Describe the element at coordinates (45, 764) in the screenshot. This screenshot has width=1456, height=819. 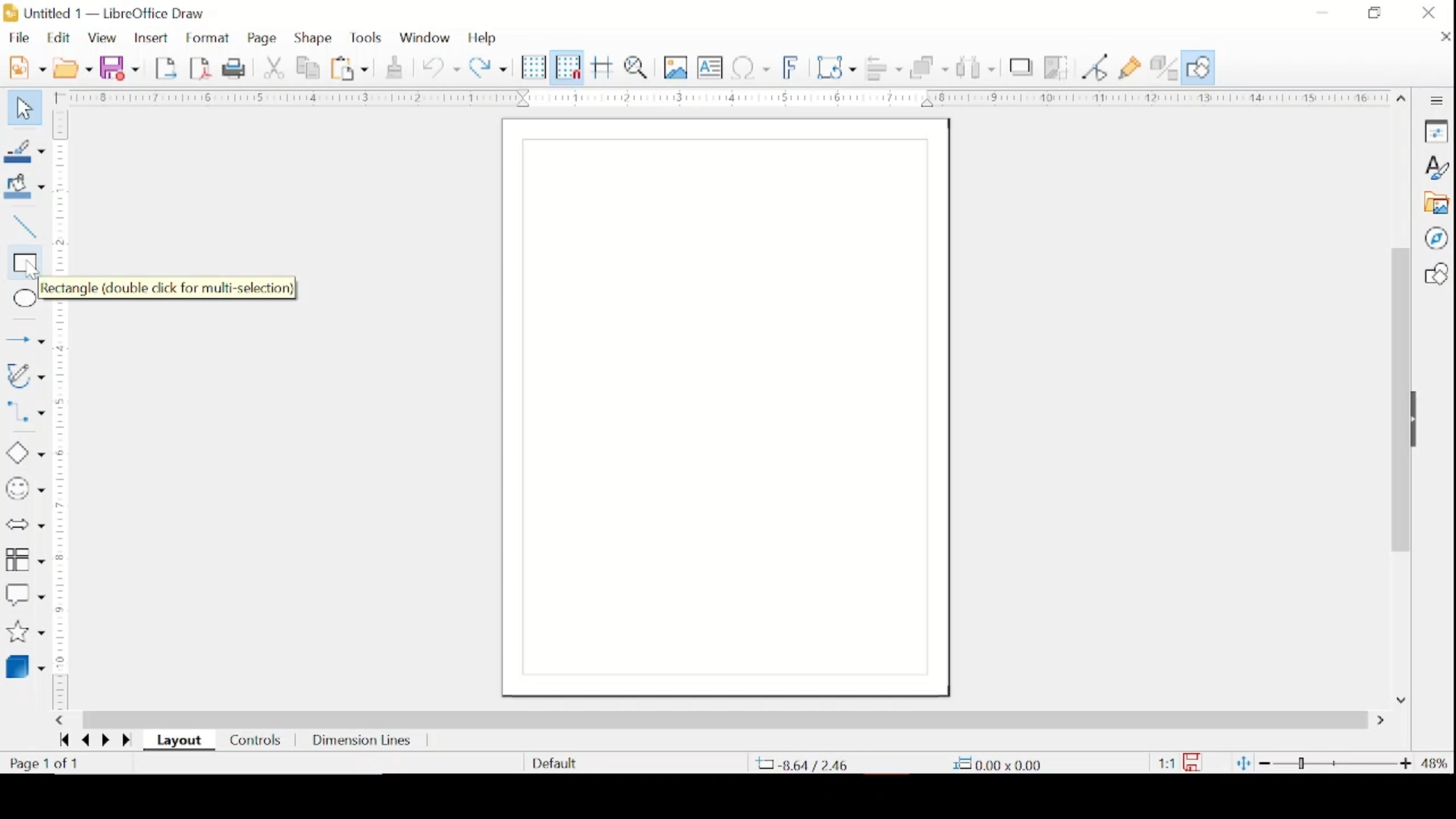
I see `page 1 of 1` at that location.